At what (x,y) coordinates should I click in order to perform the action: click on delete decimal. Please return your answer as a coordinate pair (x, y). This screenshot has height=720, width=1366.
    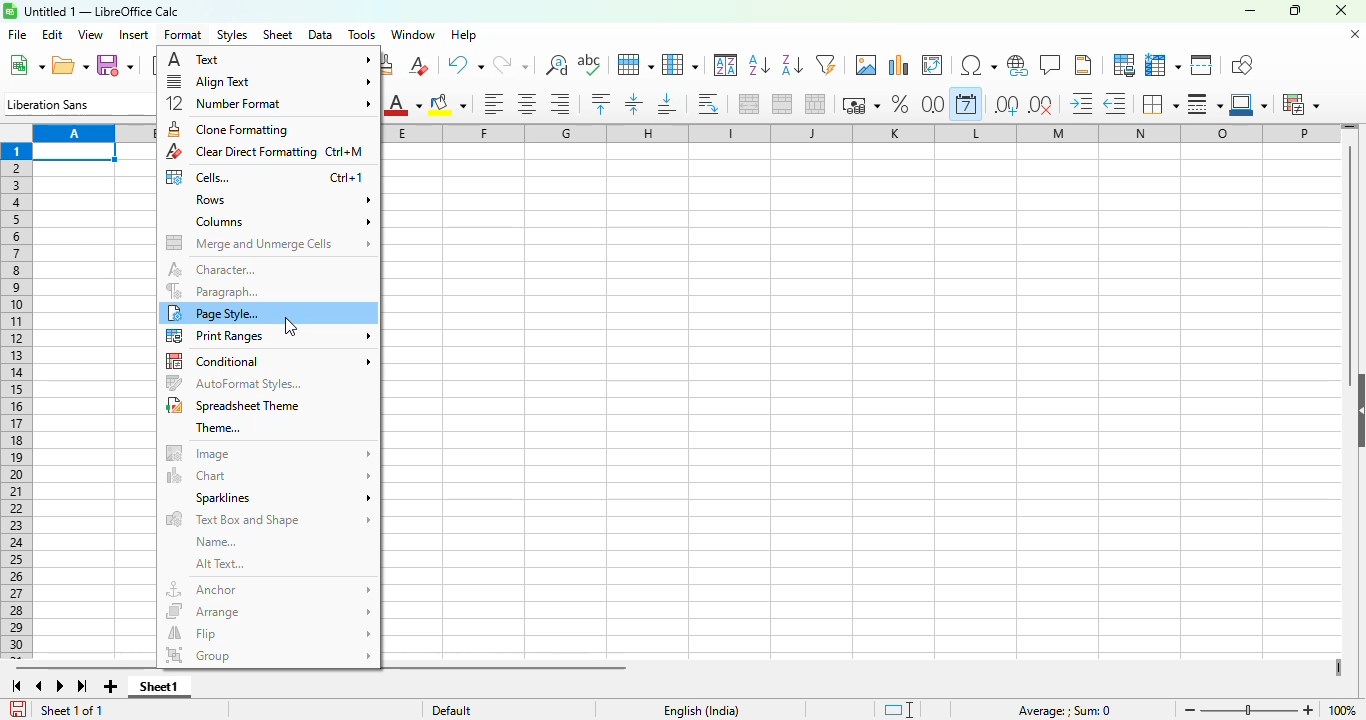
    Looking at the image, I should click on (1041, 105).